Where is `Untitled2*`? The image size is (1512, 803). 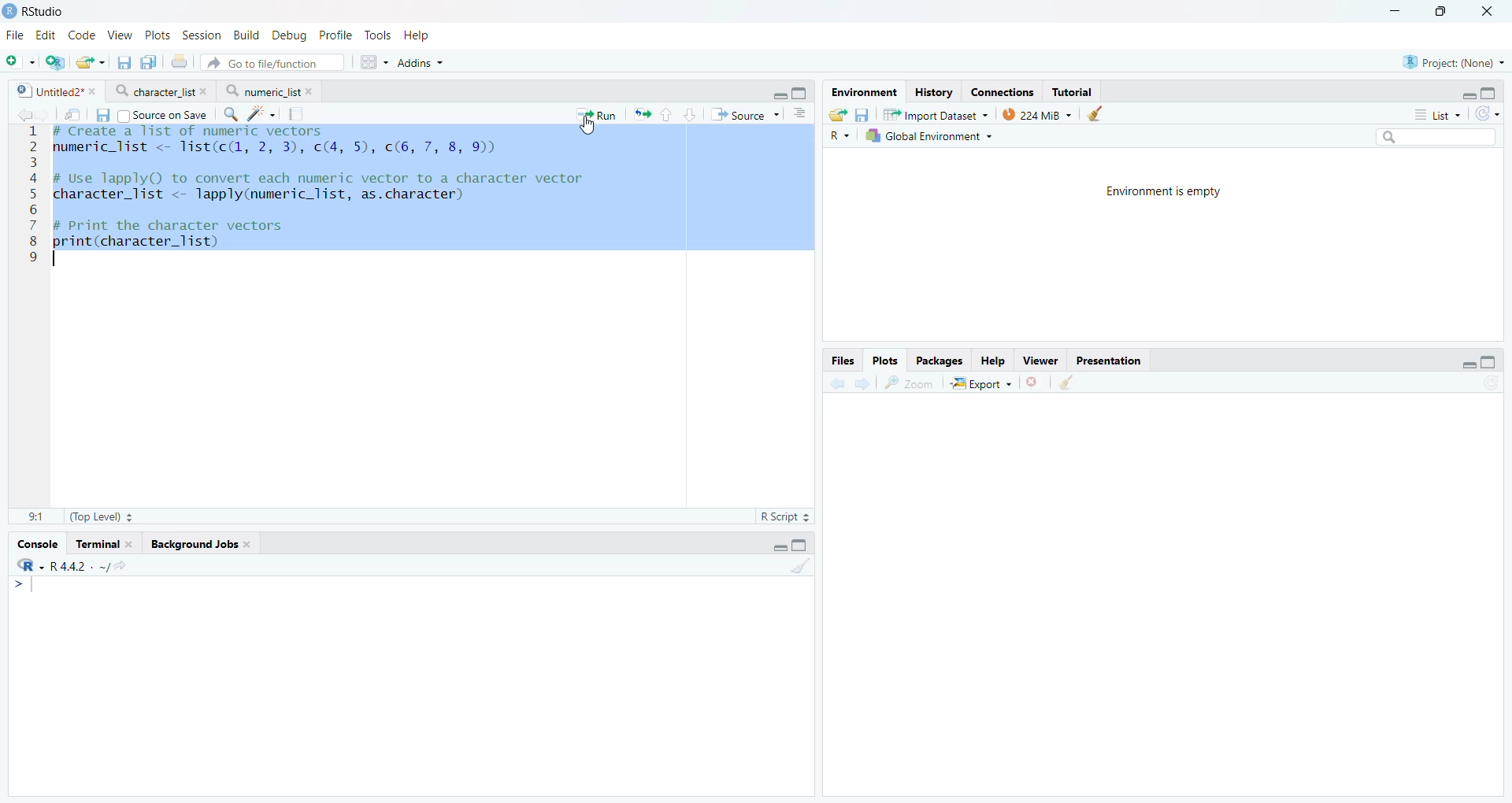 Untitled2* is located at coordinates (54, 90).